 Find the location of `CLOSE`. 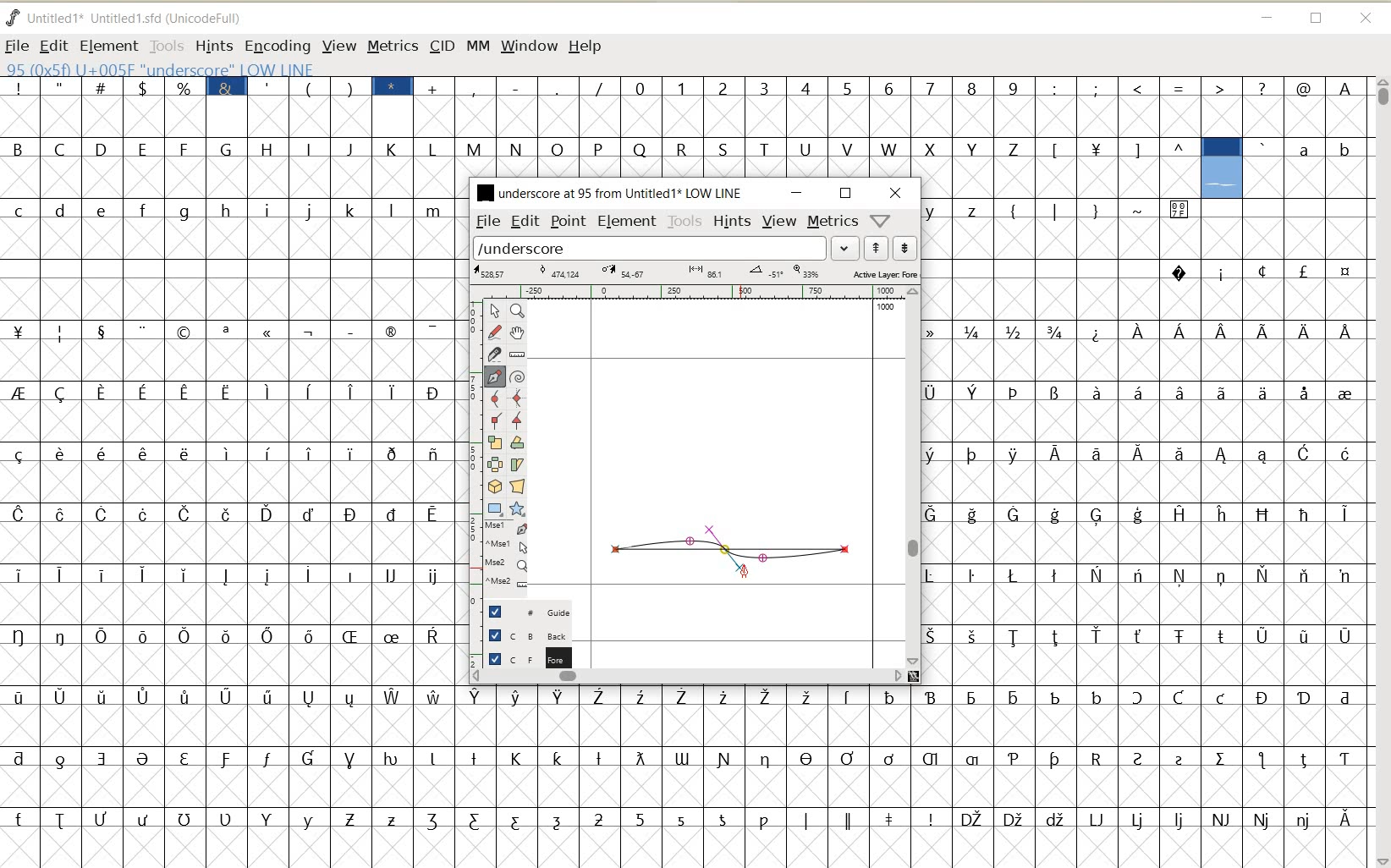

CLOSE is located at coordinates (1367, 19).